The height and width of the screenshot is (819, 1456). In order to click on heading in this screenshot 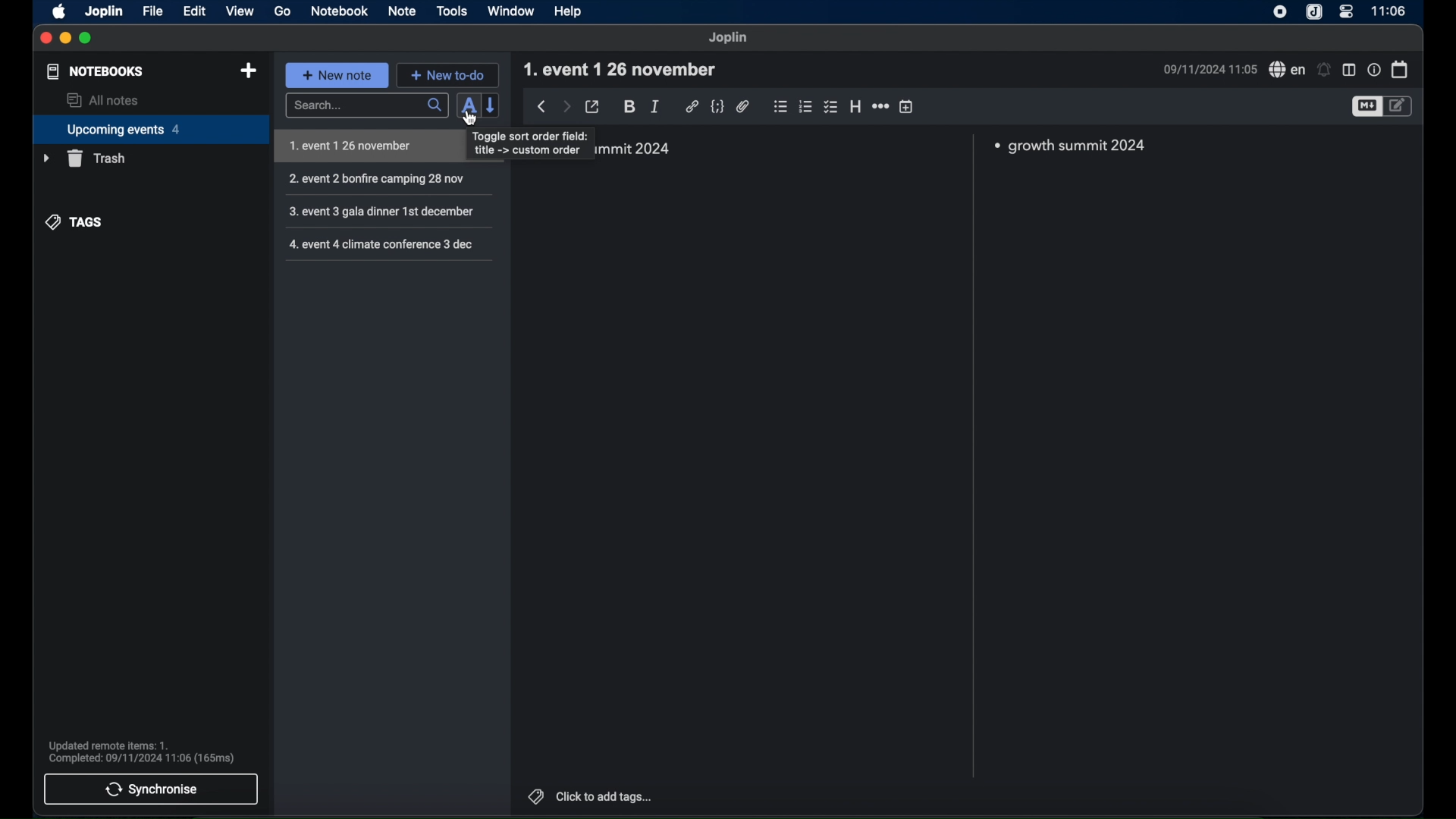, I will do `click(855, 106)`.